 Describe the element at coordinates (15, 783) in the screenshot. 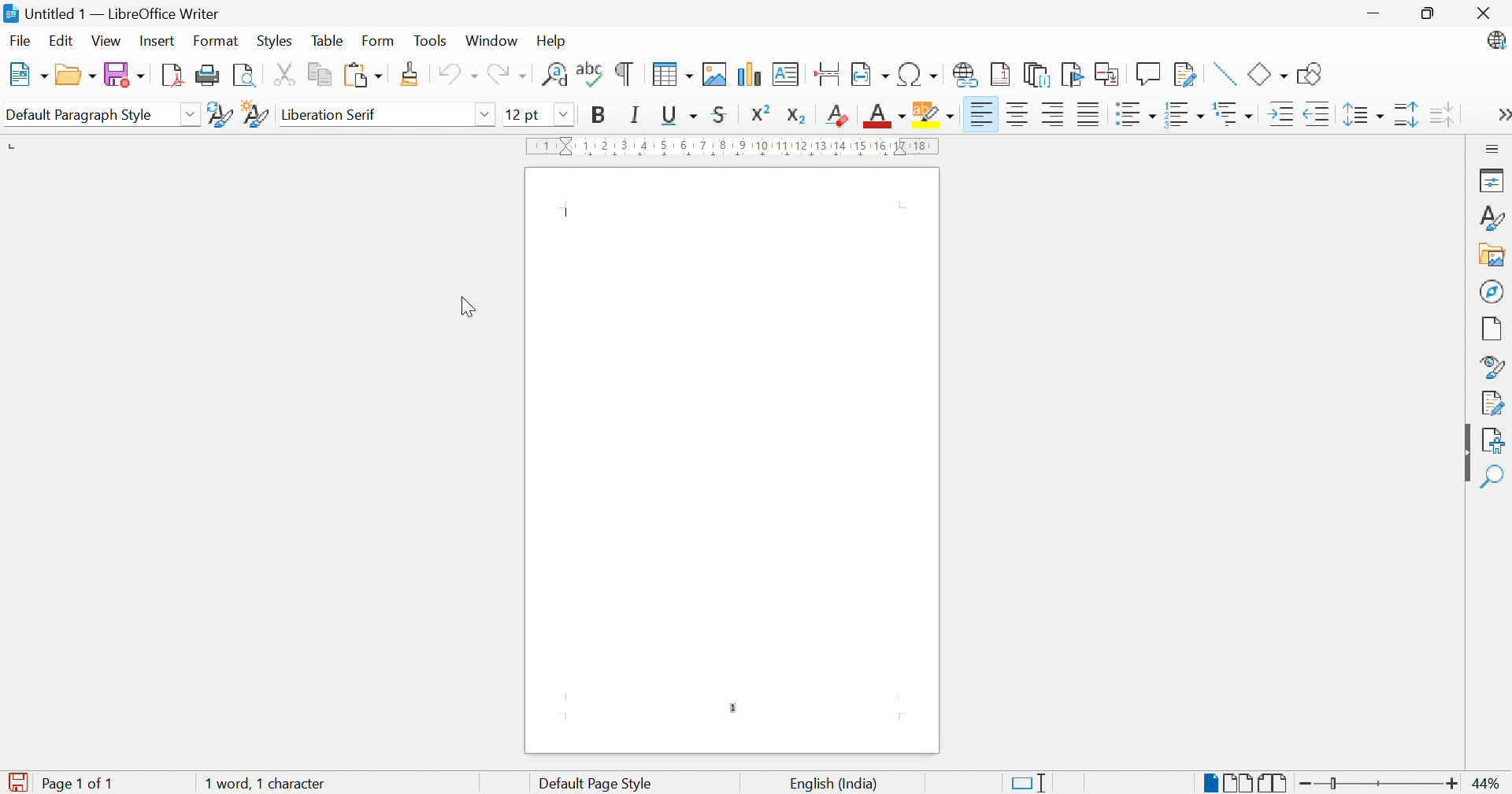

I see `The document has been modified. Click to save the document.` at that location.